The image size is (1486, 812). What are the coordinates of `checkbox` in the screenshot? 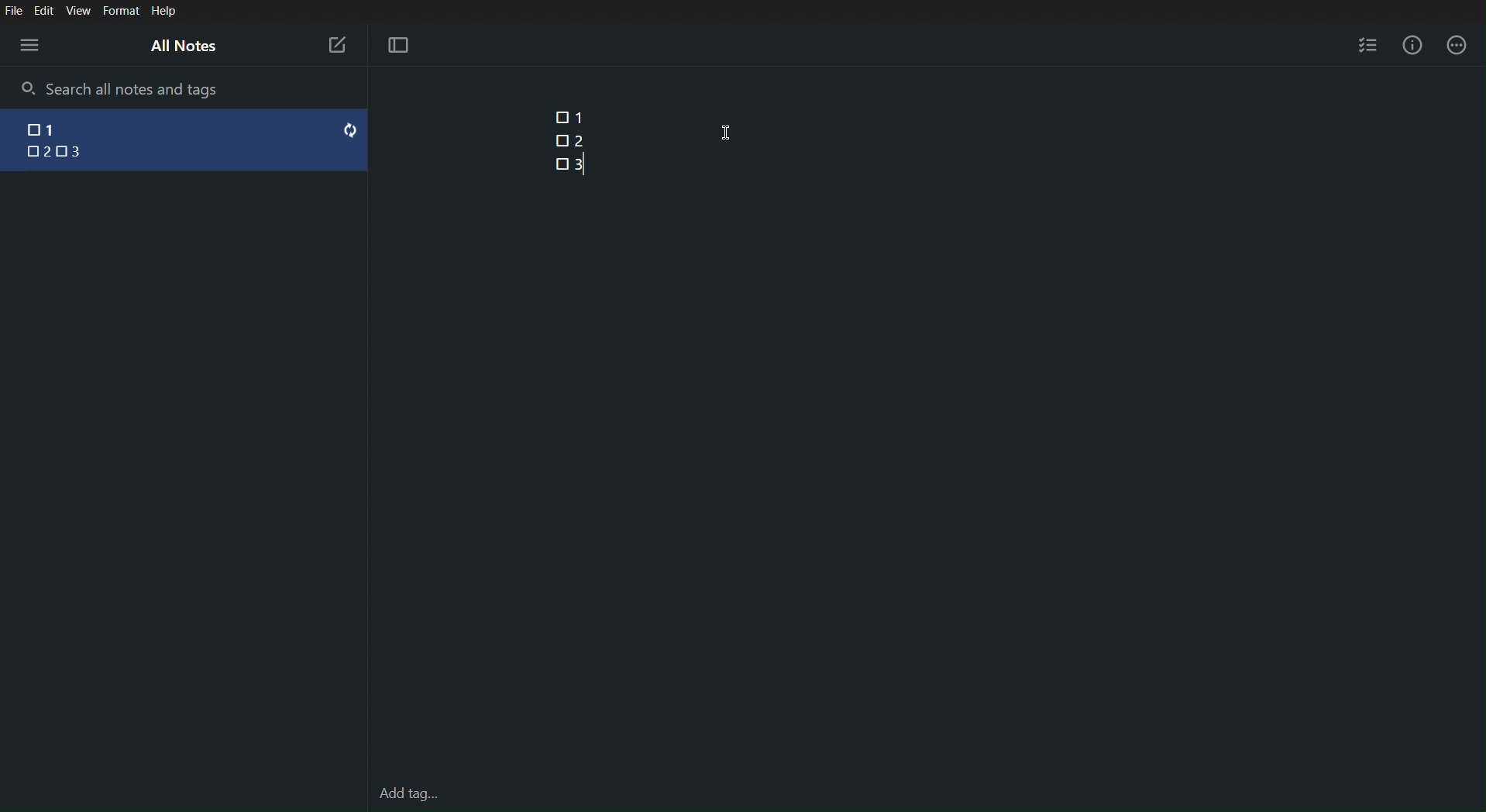 It's located at (26, 131).